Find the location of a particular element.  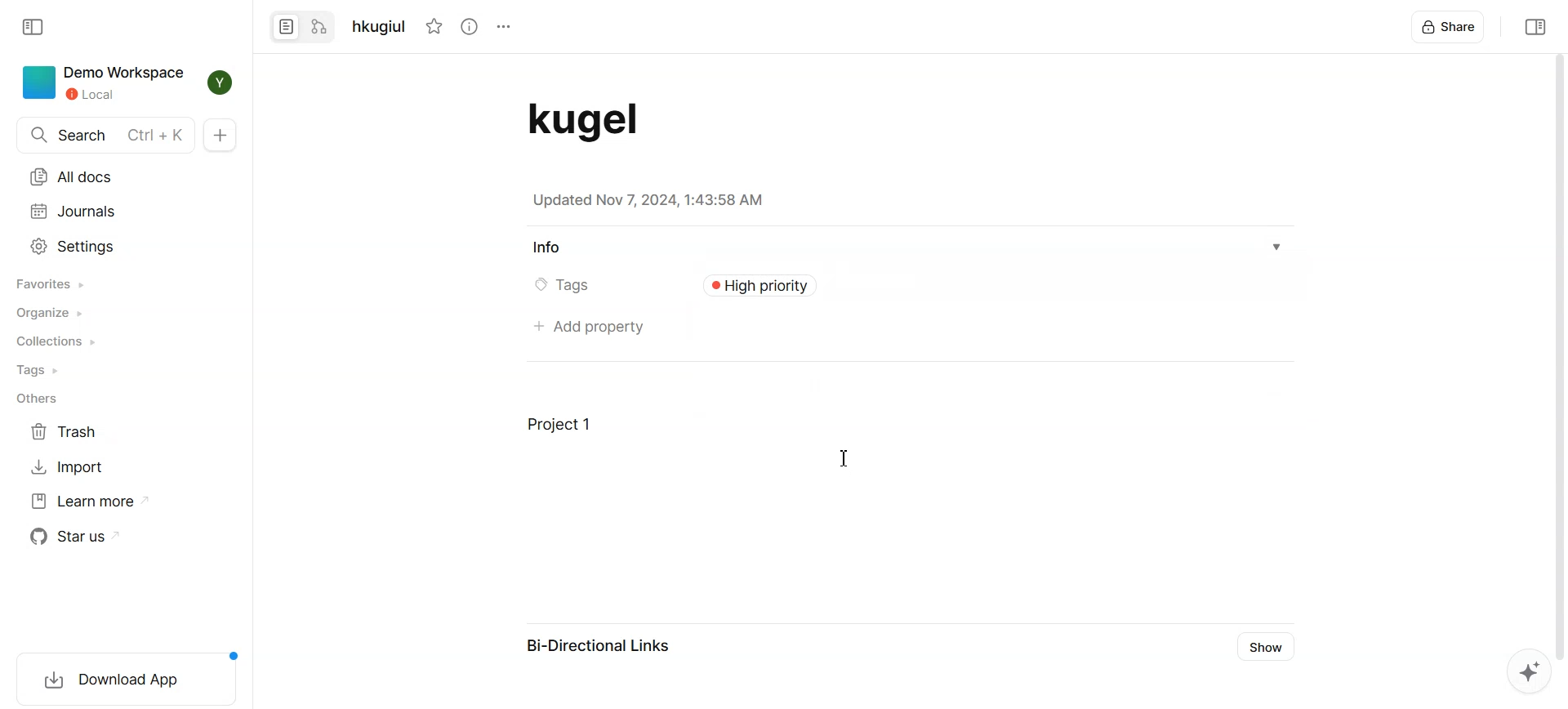

Tags is located at coordinates (40, 371).